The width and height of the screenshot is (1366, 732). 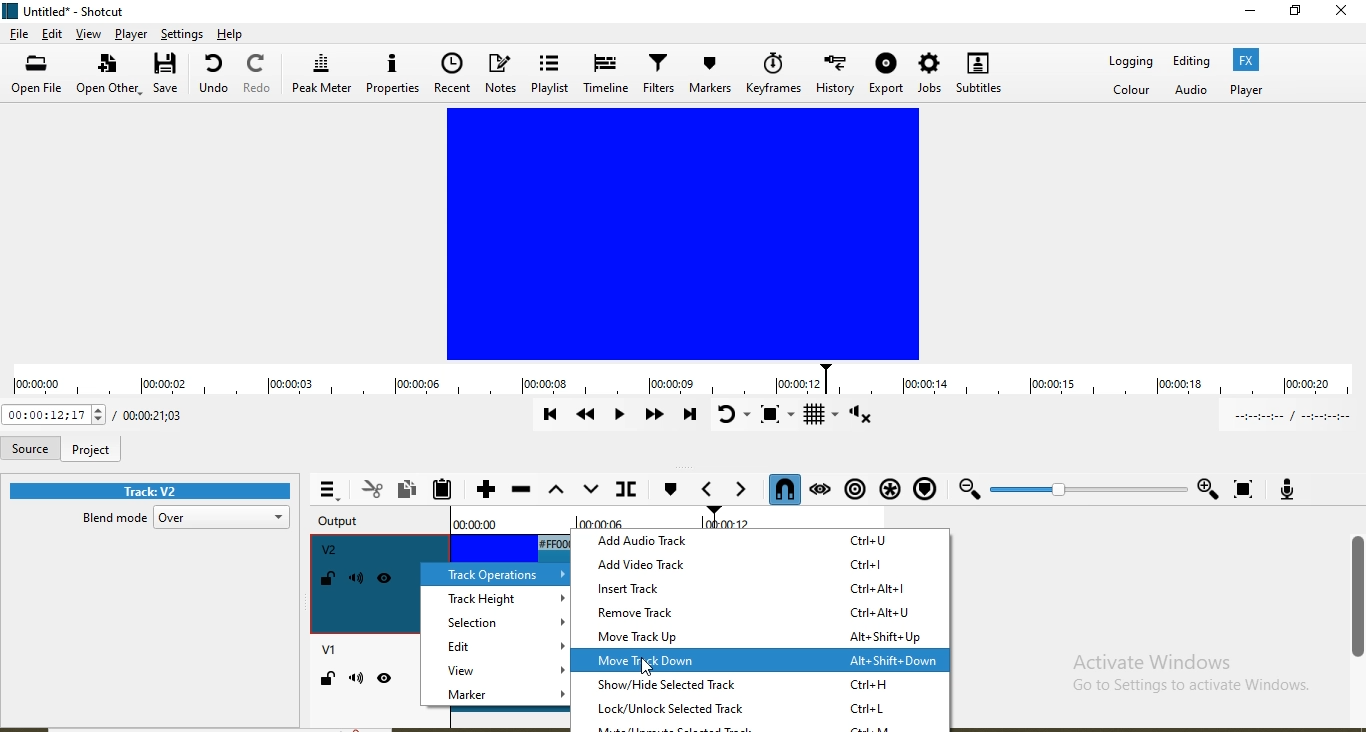 I want to click on help, so click(x=232, y=33).